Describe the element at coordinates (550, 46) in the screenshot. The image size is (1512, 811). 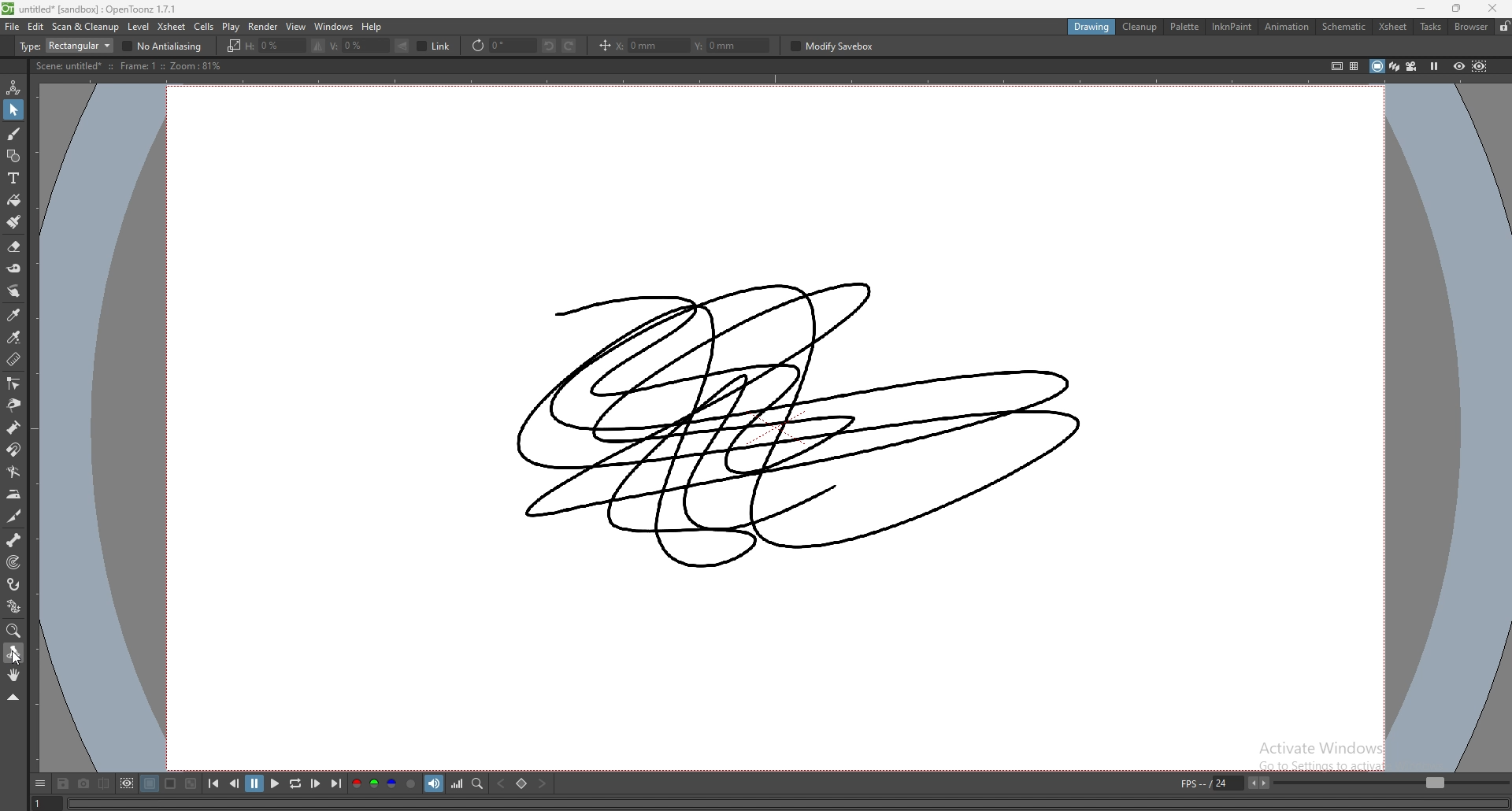
I see `rotate selection left` at that location.